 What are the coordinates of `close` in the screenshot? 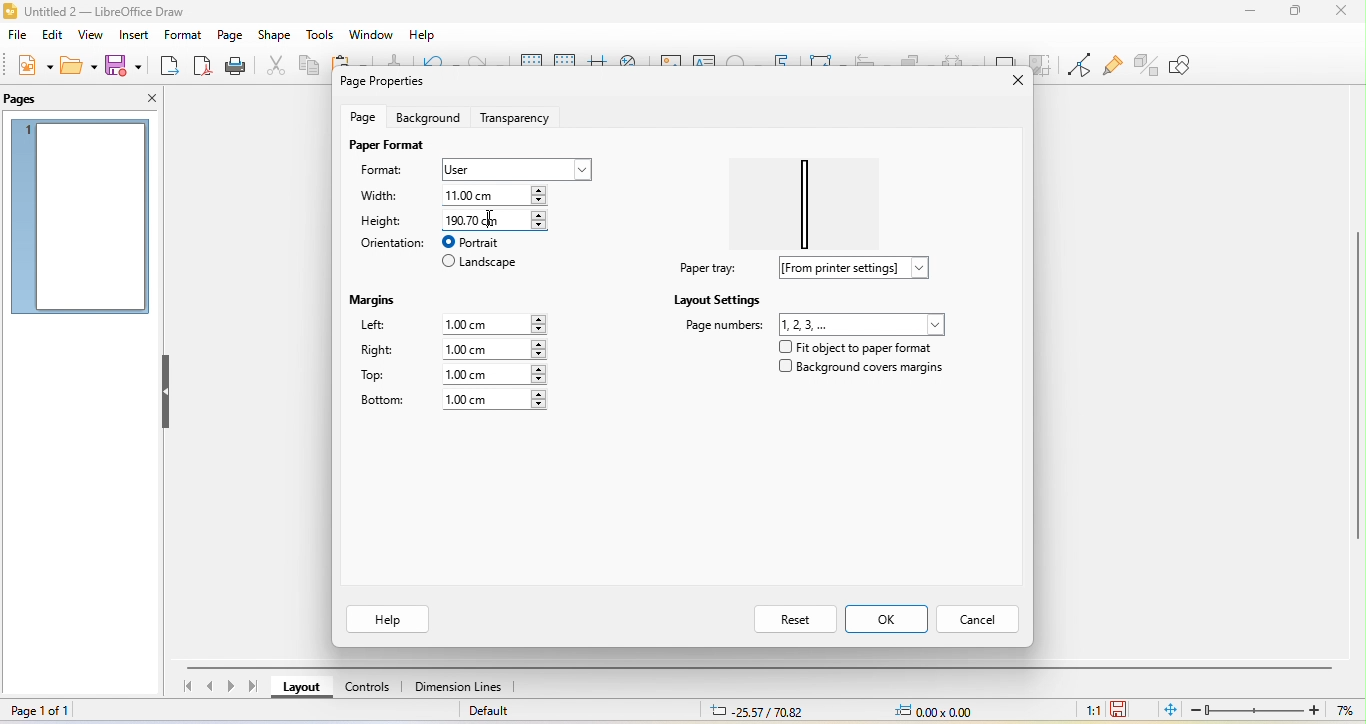 It's located at (144, 98).